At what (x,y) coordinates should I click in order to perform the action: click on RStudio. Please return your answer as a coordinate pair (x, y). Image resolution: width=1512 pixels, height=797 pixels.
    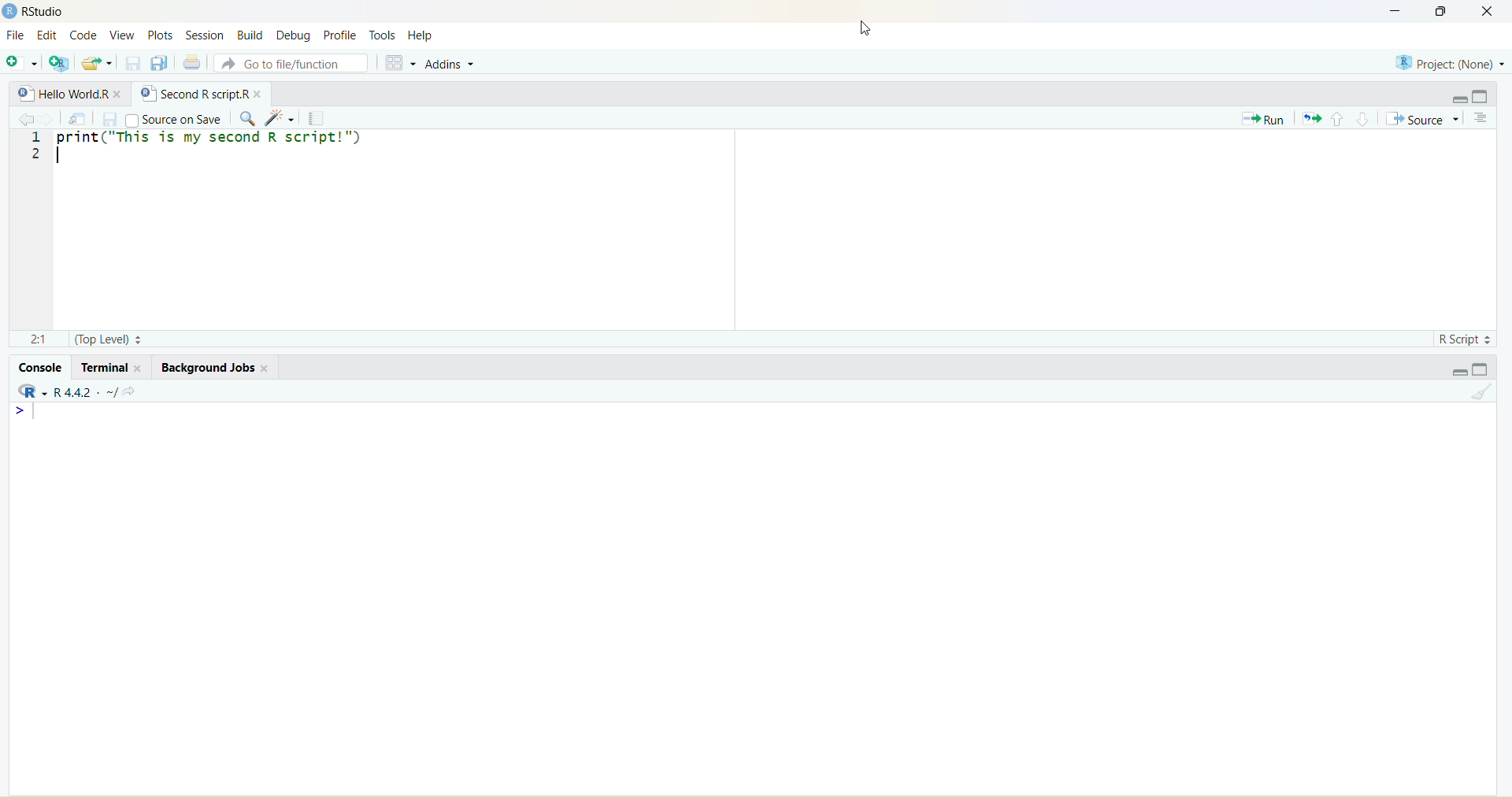
    Looking at the image, I should click on (31, 390).